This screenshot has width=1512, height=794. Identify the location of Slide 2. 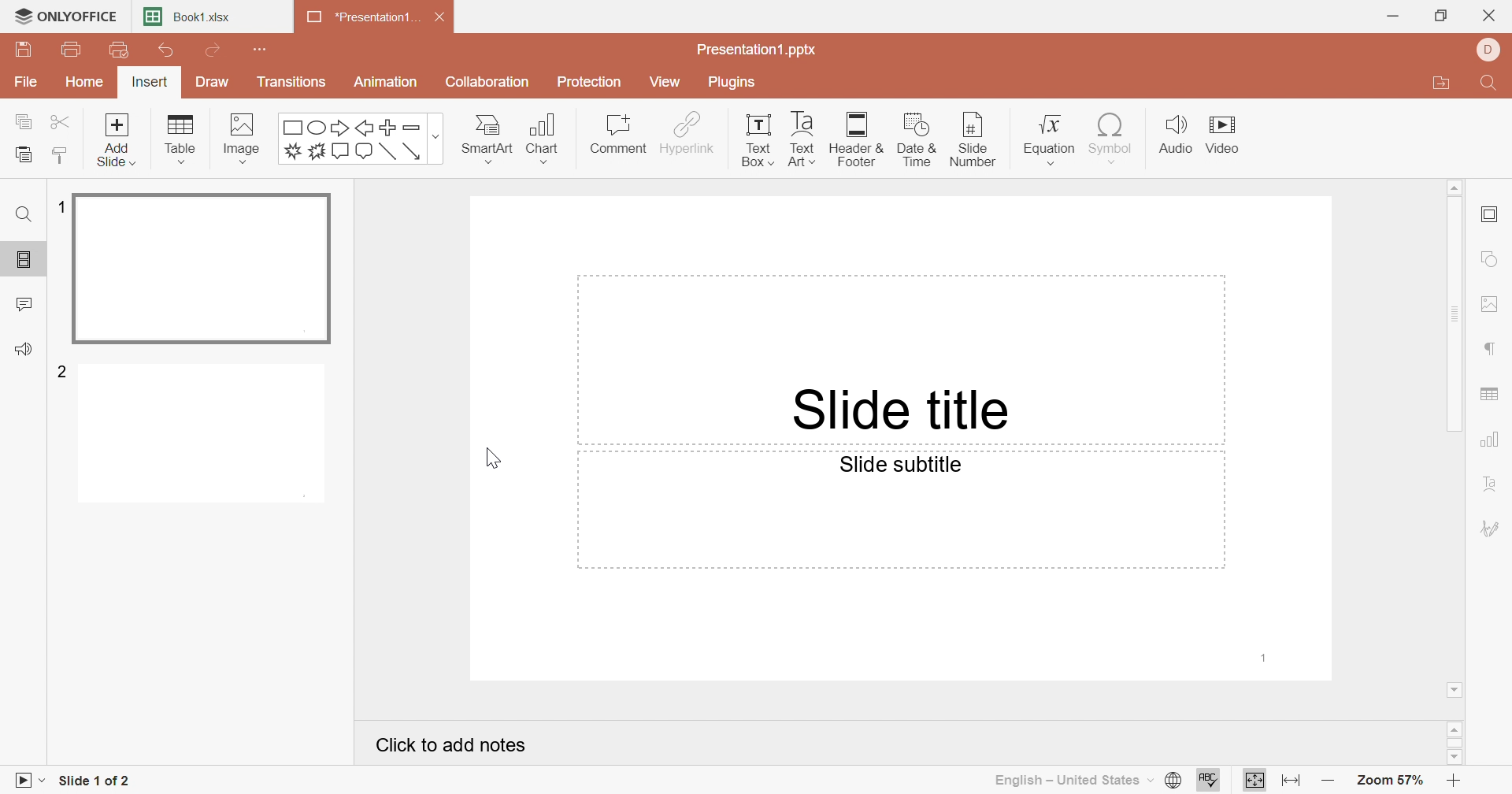
(206, 436).